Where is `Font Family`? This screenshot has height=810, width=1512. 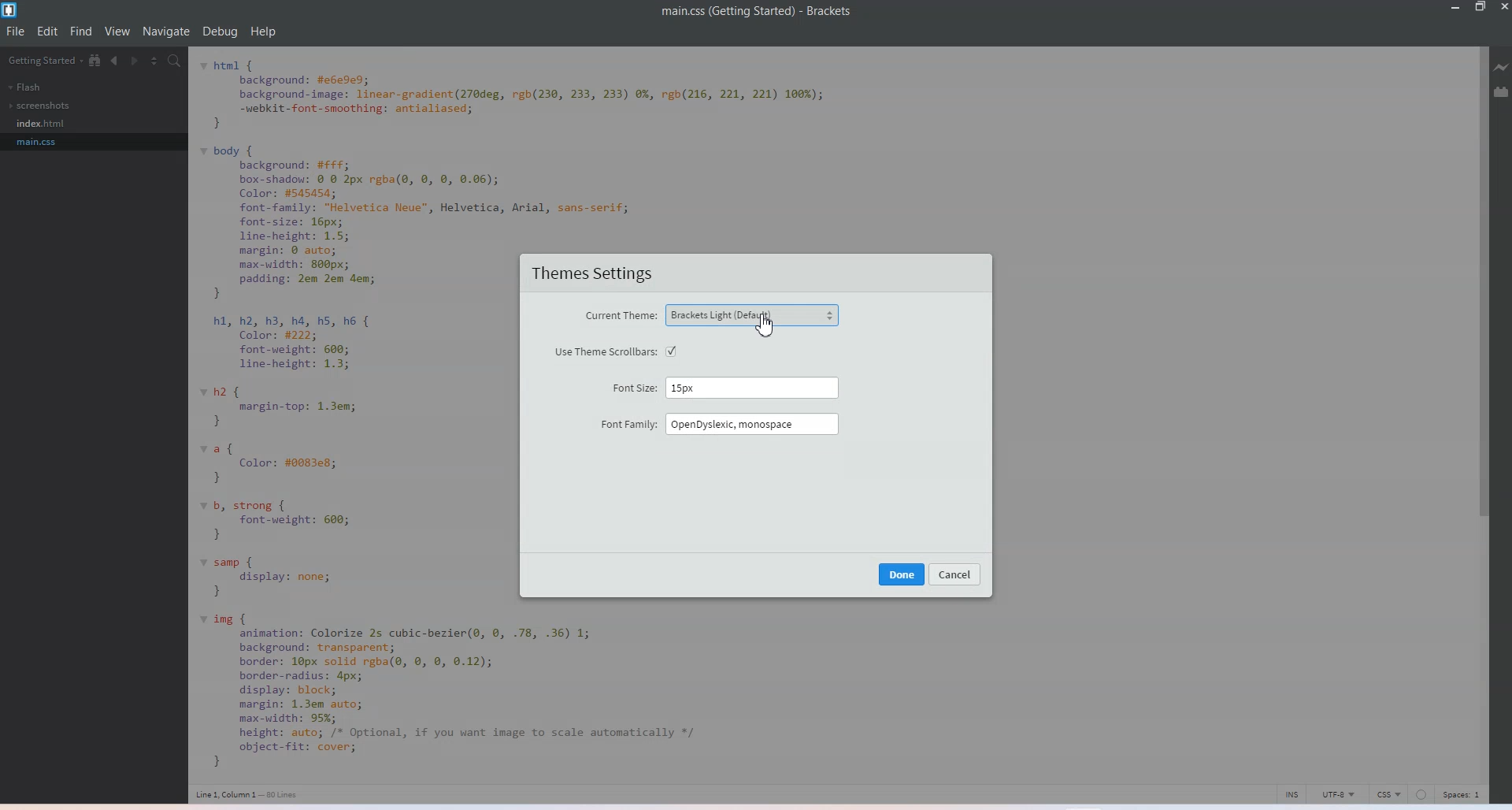
Font Family is located at coordinates (719, 424).